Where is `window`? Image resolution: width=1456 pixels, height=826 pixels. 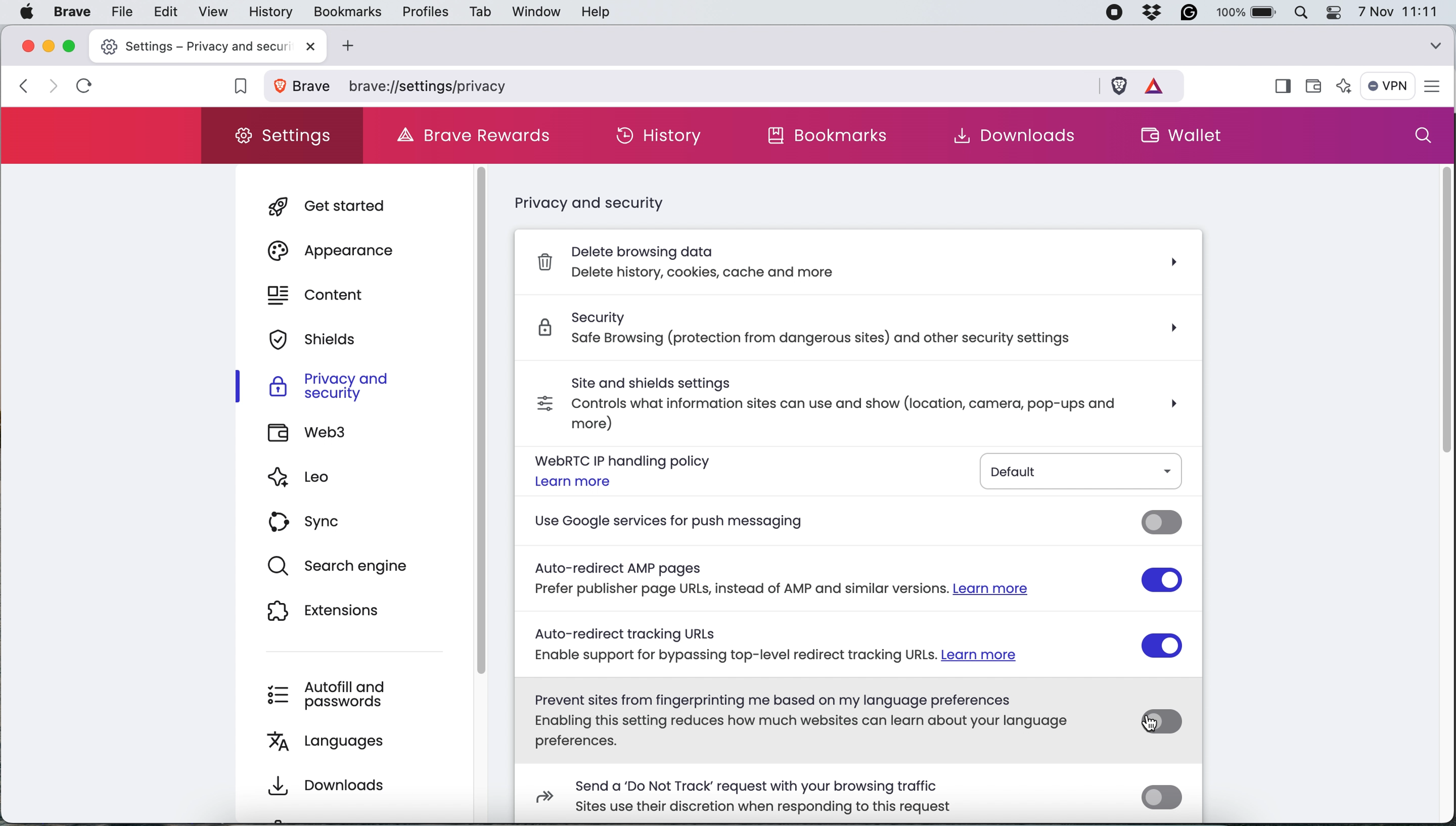
window is located at coordinates (533, 11).